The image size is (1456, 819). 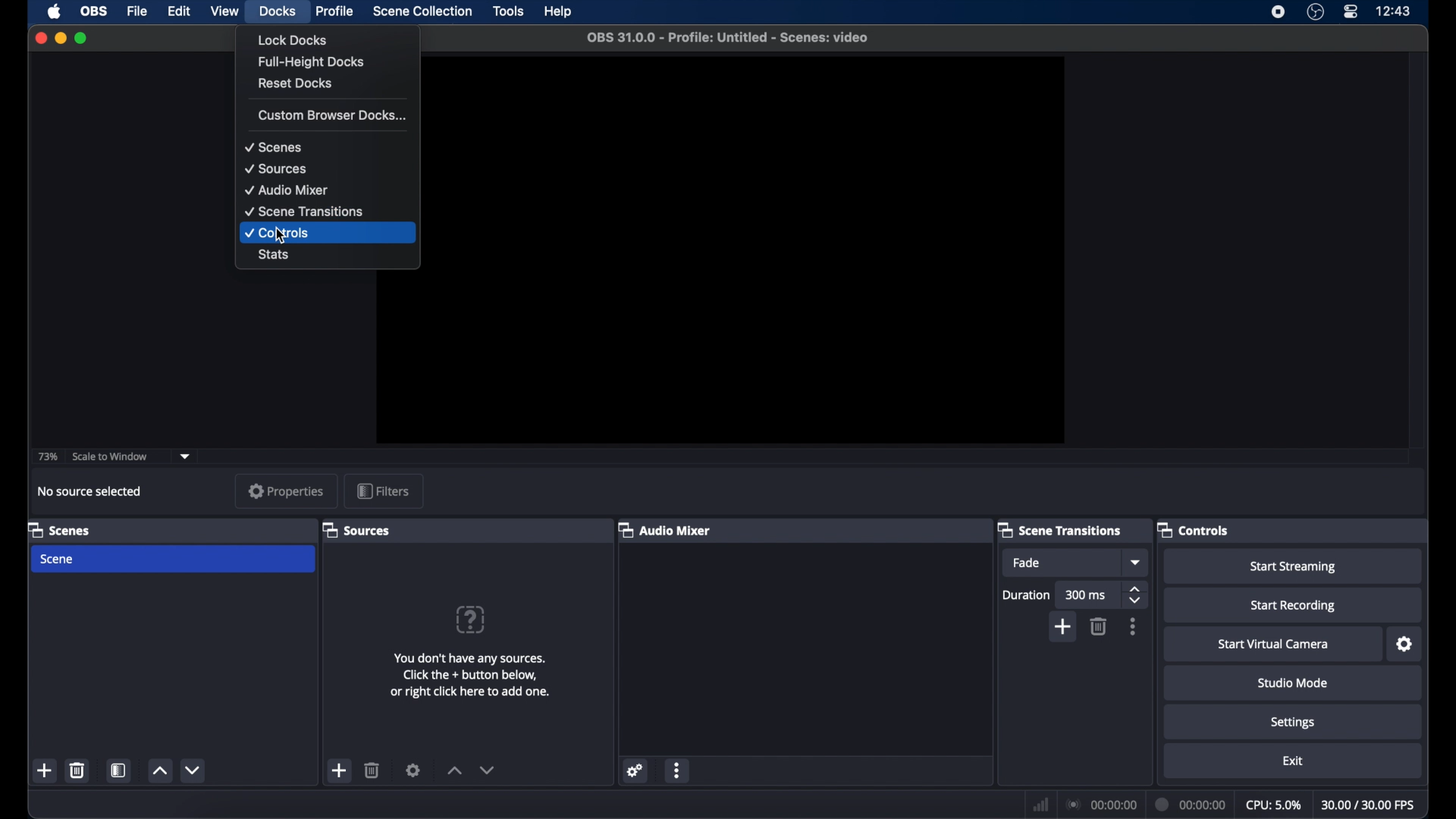 I want to click on cpu, so click(x=1273, y=803).